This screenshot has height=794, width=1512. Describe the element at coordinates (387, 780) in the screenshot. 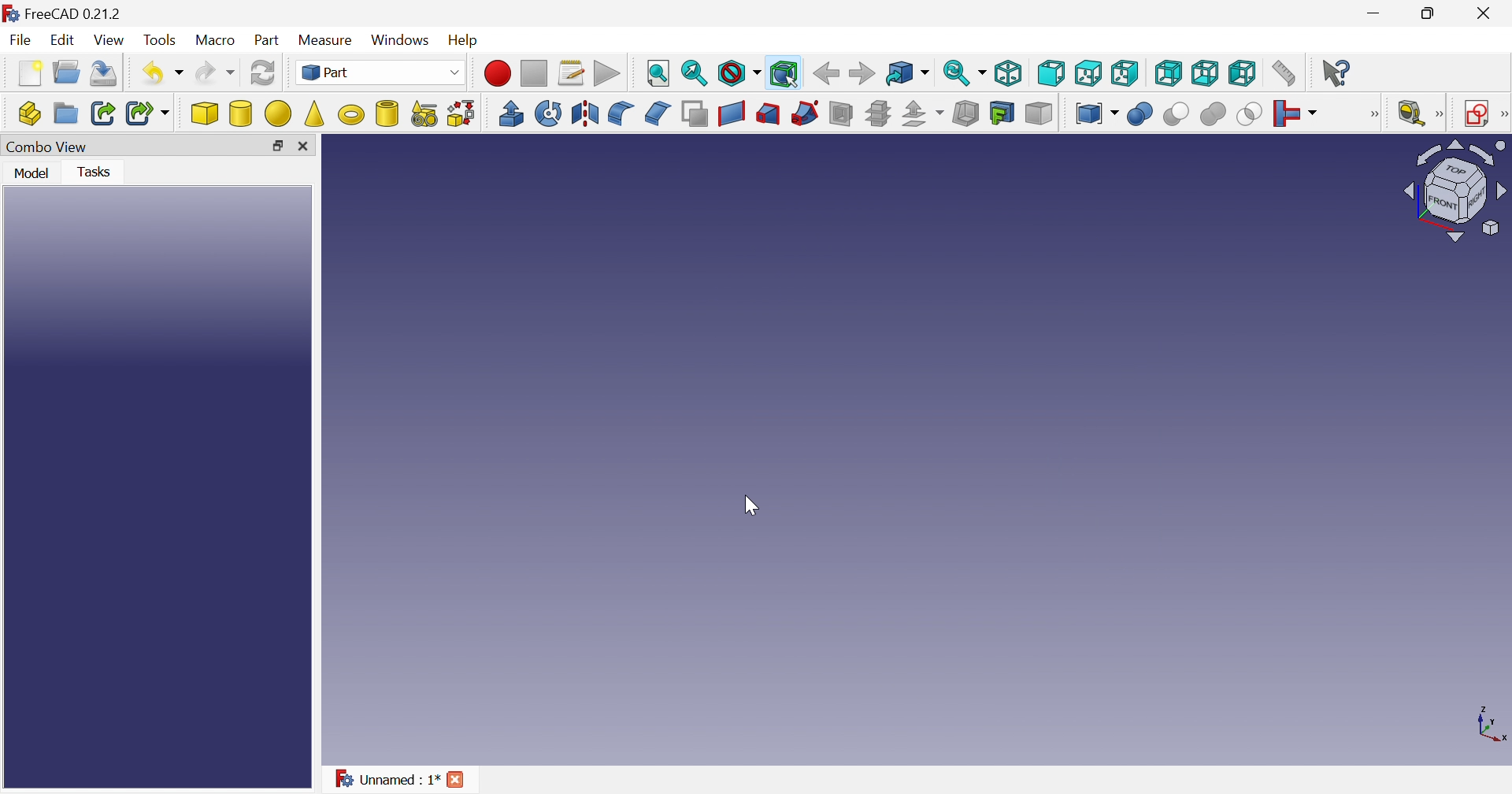

I see `Unnamed : 1*` at that location.